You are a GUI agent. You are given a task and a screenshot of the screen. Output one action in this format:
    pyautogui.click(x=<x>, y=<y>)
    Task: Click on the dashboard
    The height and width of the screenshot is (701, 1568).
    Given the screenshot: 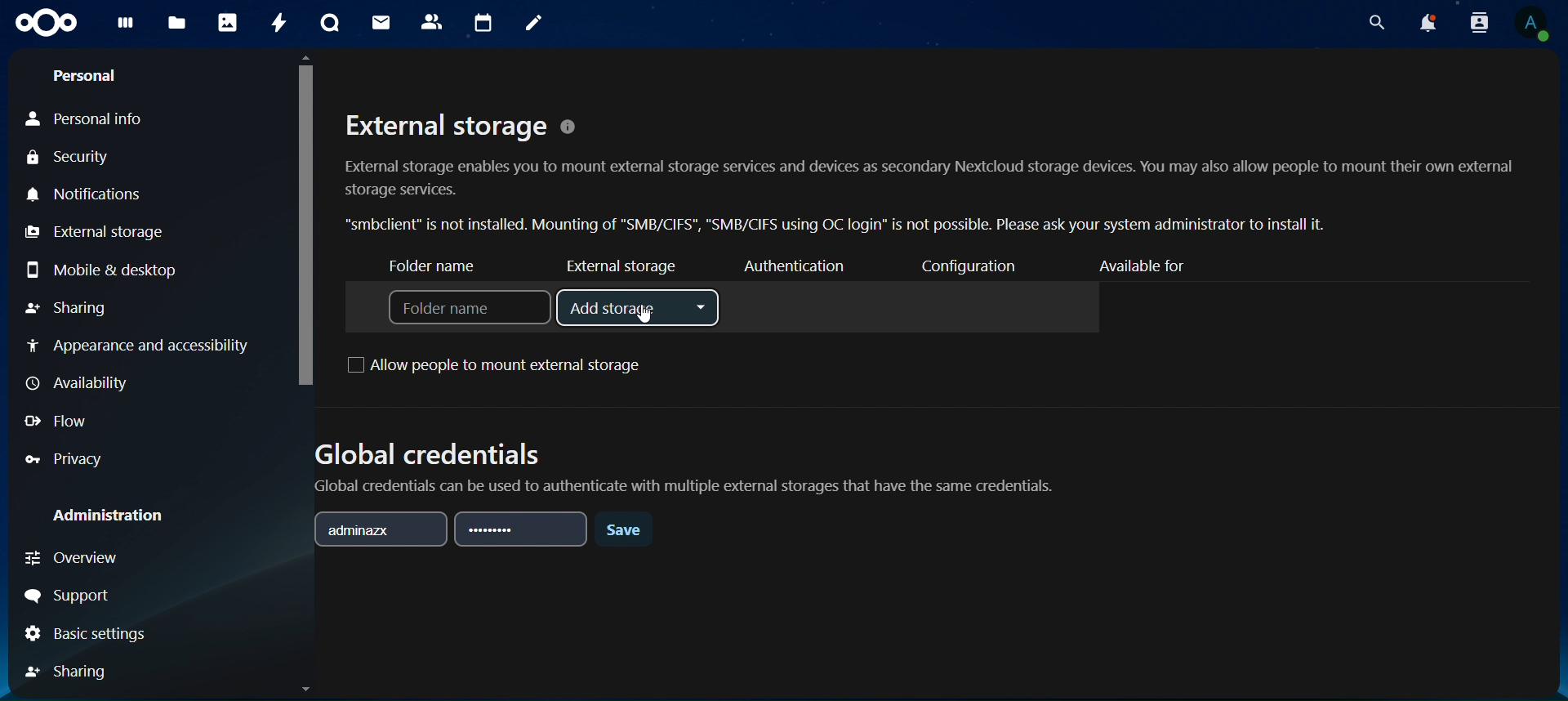 What is the action you would take?
    pyautogui.click(x=127, y=26)
    